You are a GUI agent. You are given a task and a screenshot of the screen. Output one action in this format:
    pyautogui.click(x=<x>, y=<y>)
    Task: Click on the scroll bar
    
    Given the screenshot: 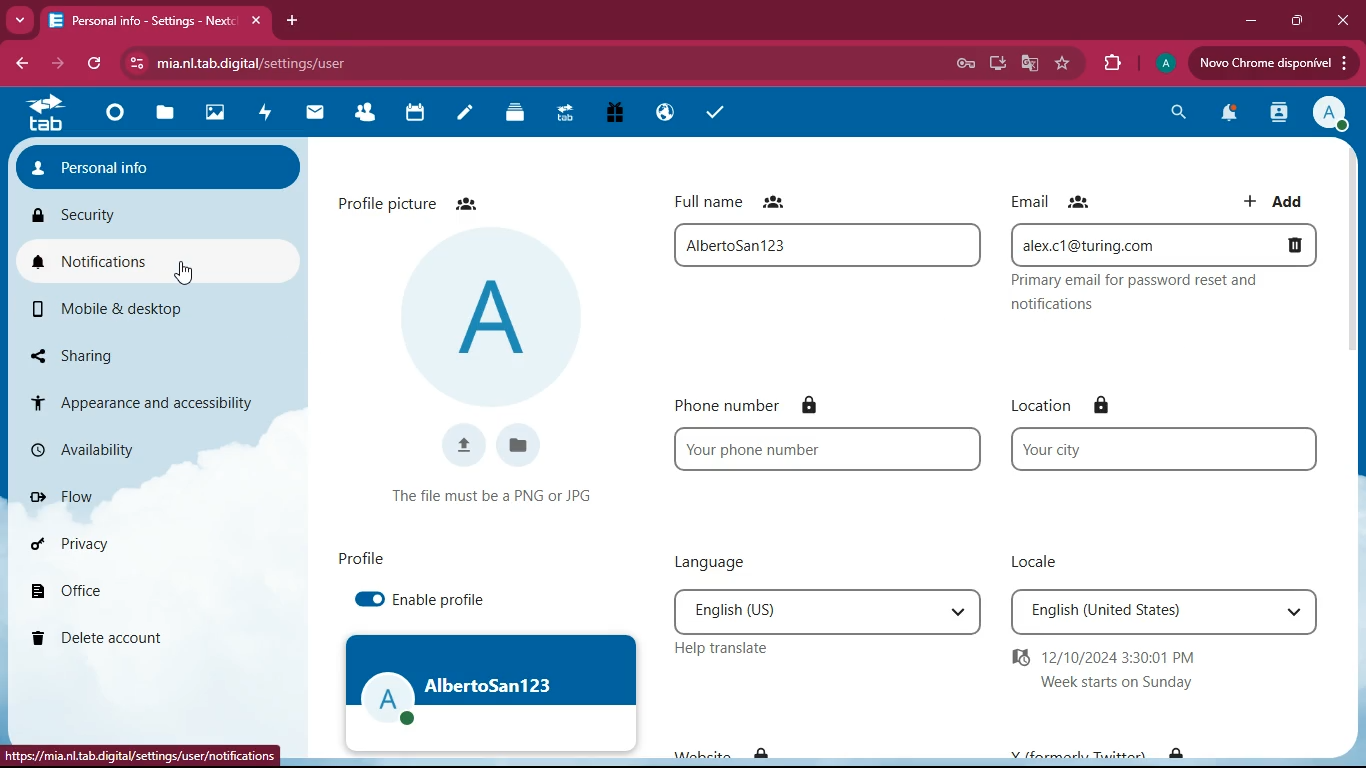 What is the action you would take?
    pyautogui.click(x=1352, y=253)
    